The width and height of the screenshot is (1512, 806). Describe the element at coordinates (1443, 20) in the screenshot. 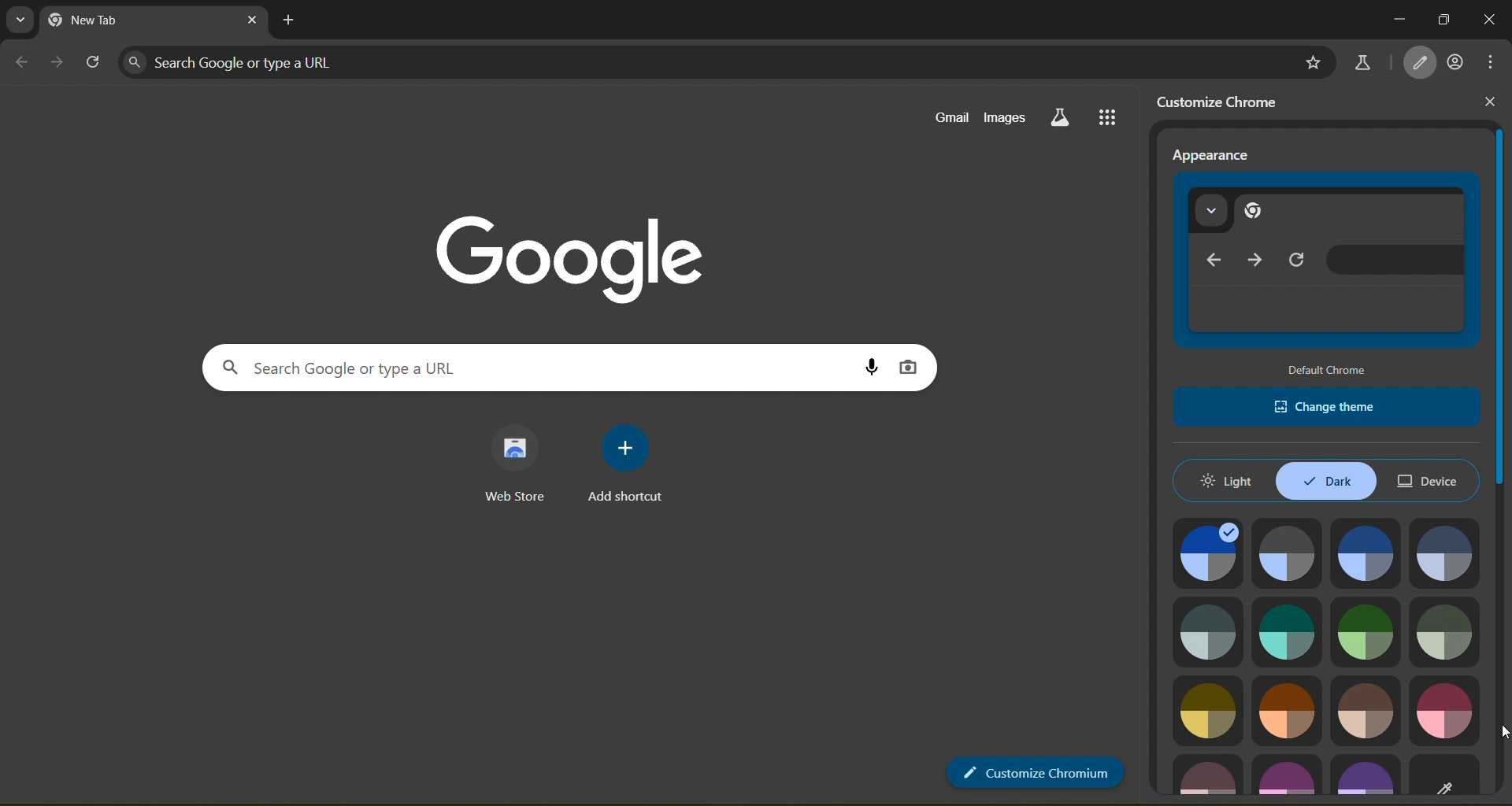

I see `maximize` at that location.